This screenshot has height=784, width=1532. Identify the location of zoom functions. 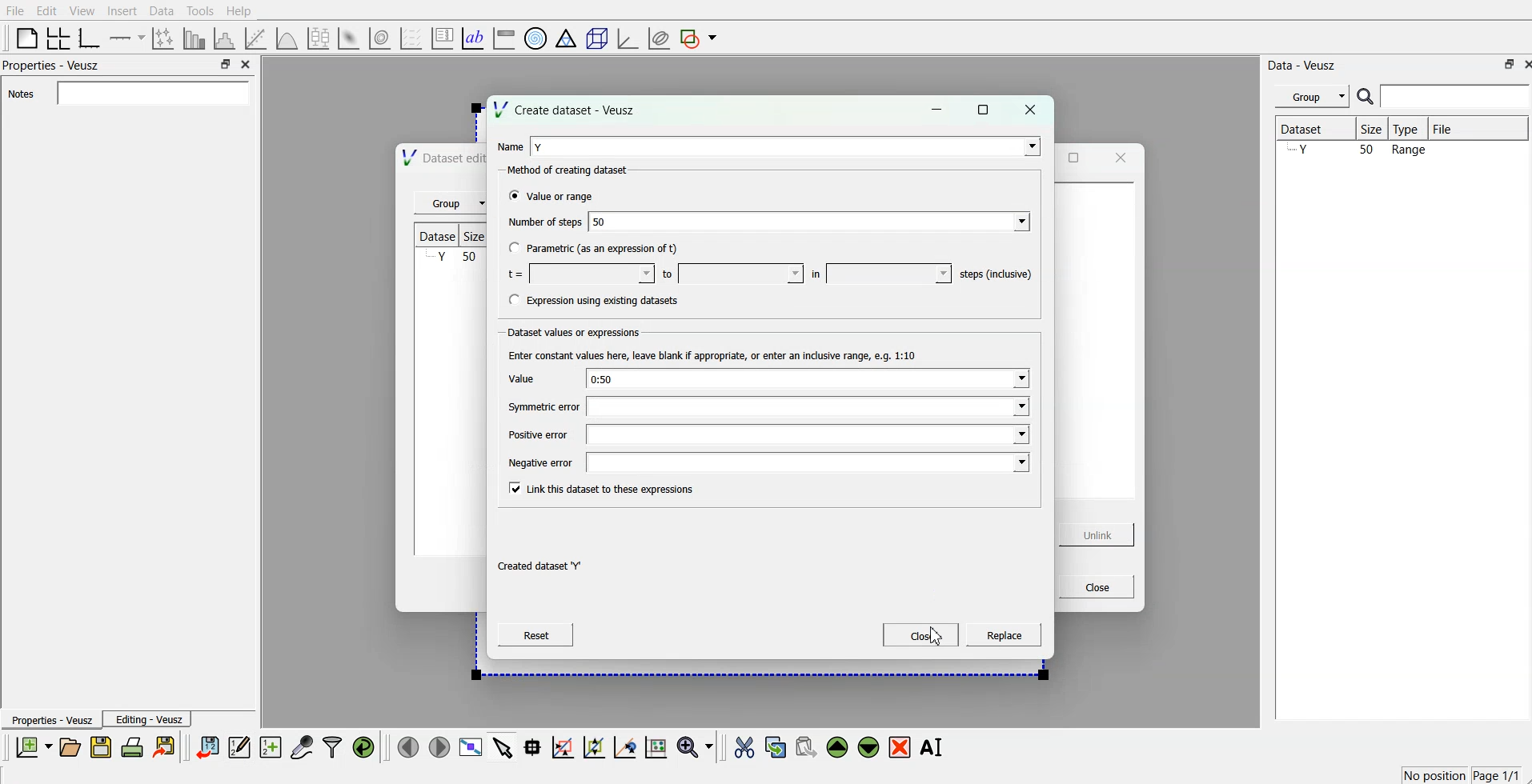
(696, 746).